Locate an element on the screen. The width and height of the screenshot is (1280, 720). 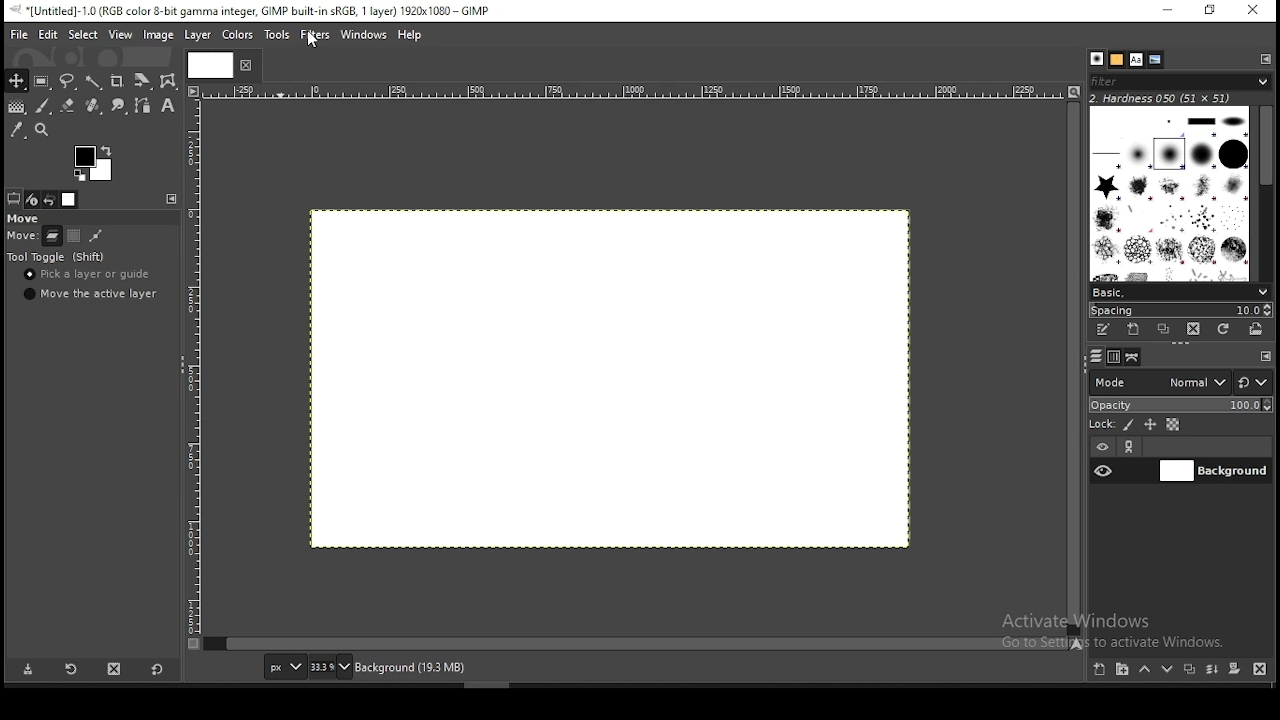
brushes filter is located at coordinates (1180, 81).